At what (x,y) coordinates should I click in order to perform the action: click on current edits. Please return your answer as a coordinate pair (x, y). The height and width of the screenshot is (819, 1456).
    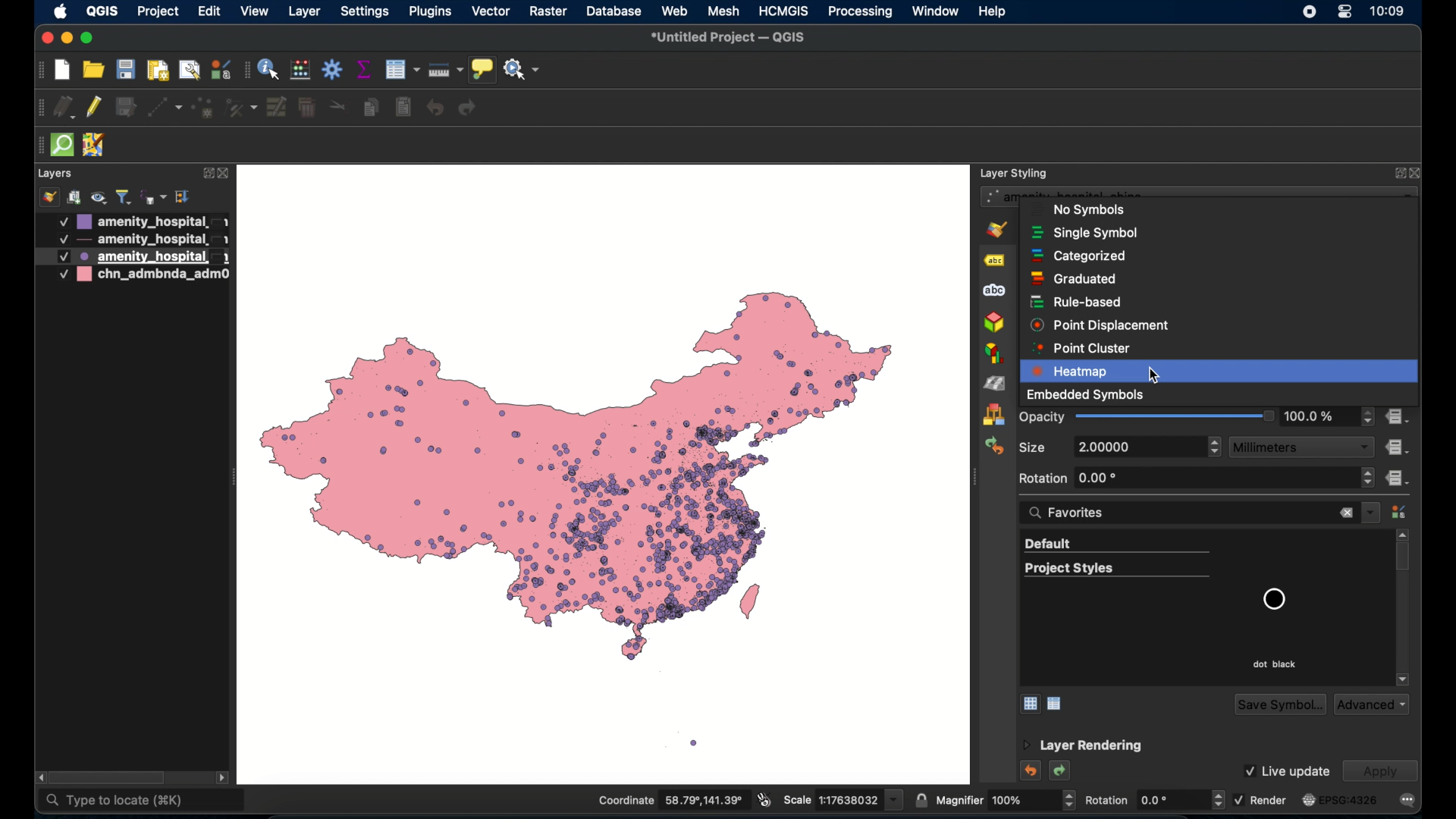
    Looking at the image, I should click on (64, 106).